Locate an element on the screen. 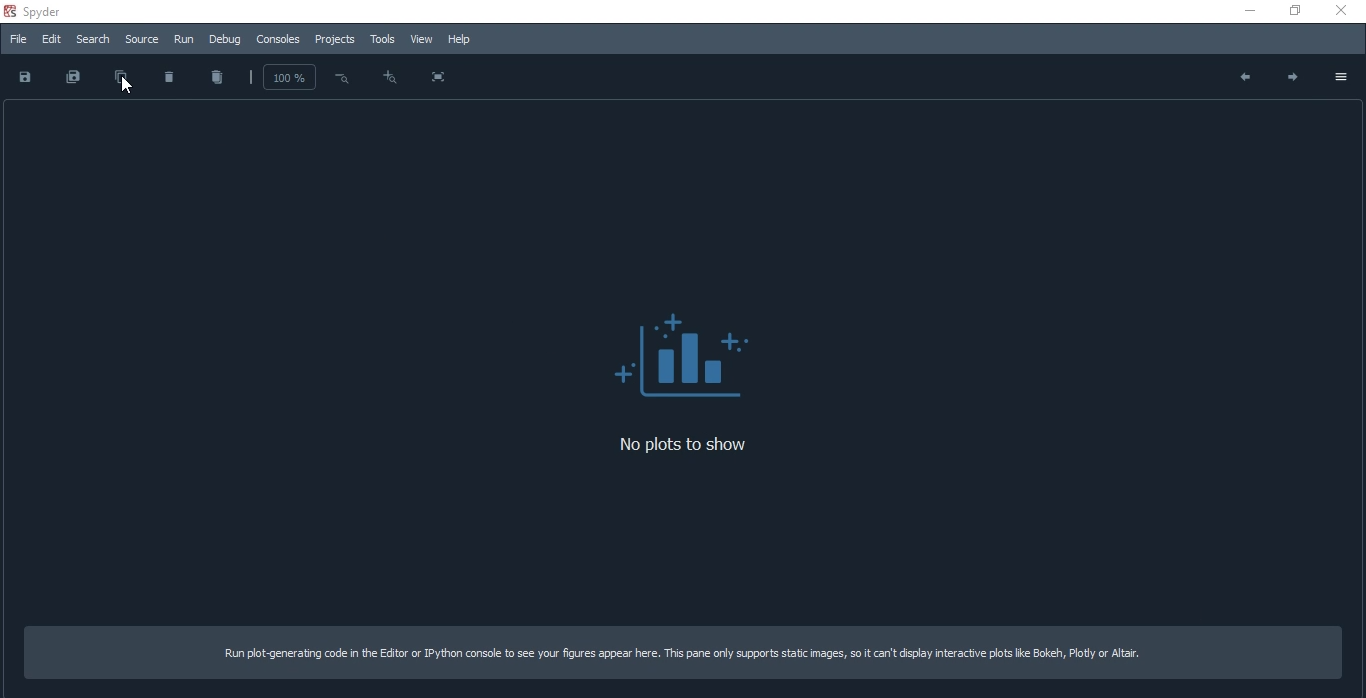 This screenshot has height=698, width=1366. delete all is located at coordinates (216, 76).